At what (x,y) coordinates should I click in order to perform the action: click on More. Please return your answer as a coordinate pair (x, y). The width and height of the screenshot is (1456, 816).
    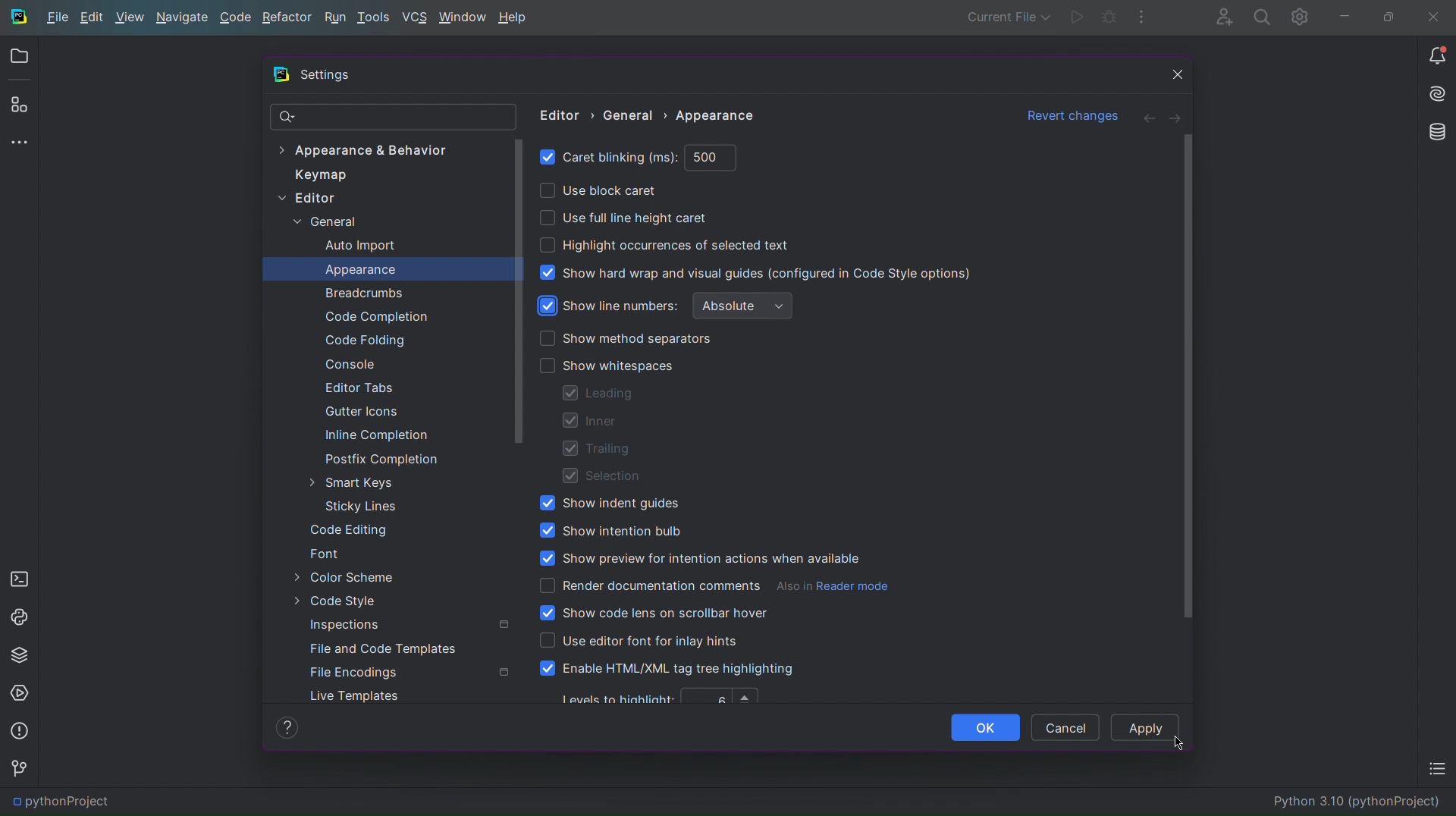
    Looking at the image, I should click on (21, 143).